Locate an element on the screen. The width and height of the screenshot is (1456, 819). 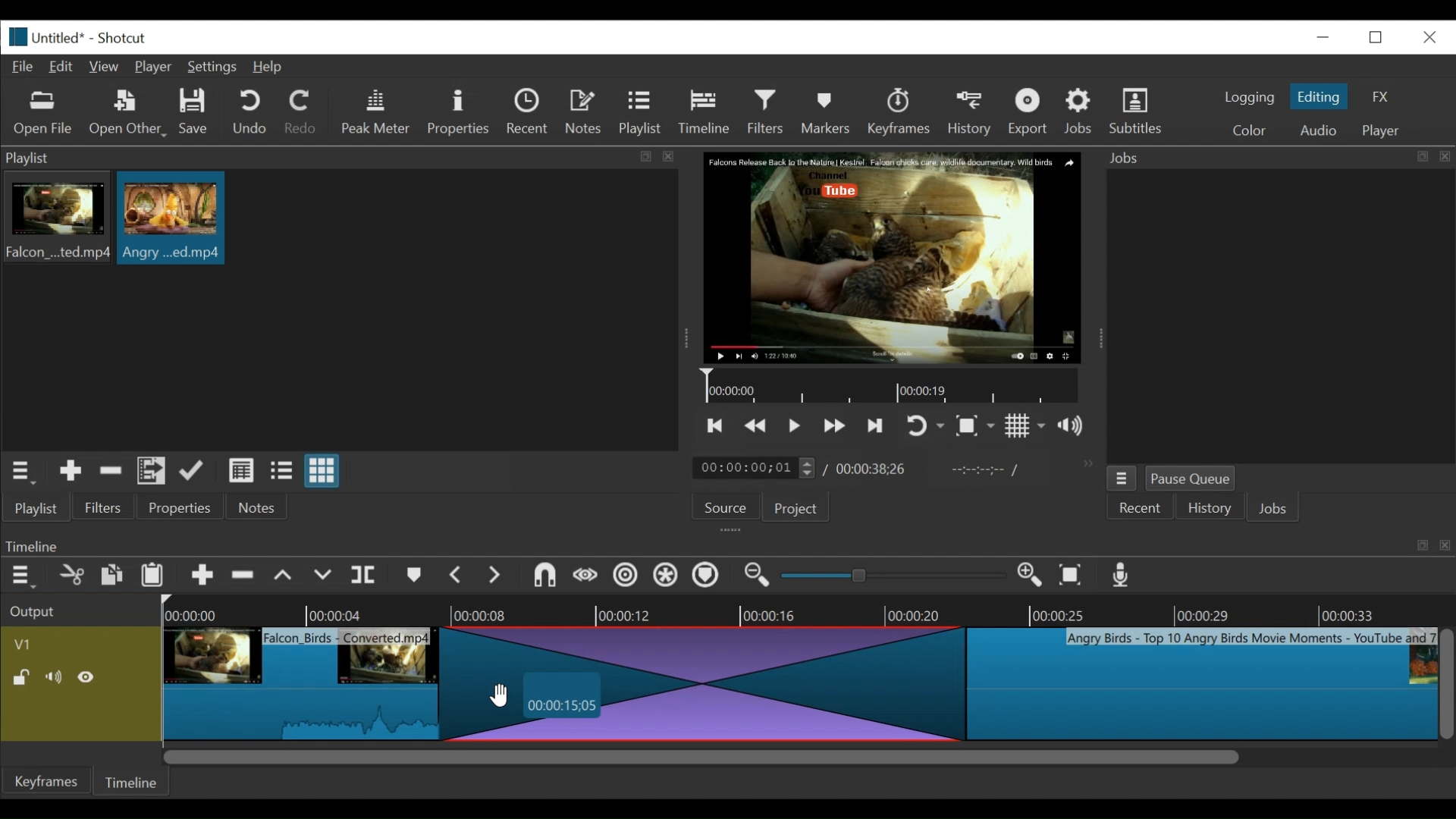
Notes is located at coordinates (257, 507).